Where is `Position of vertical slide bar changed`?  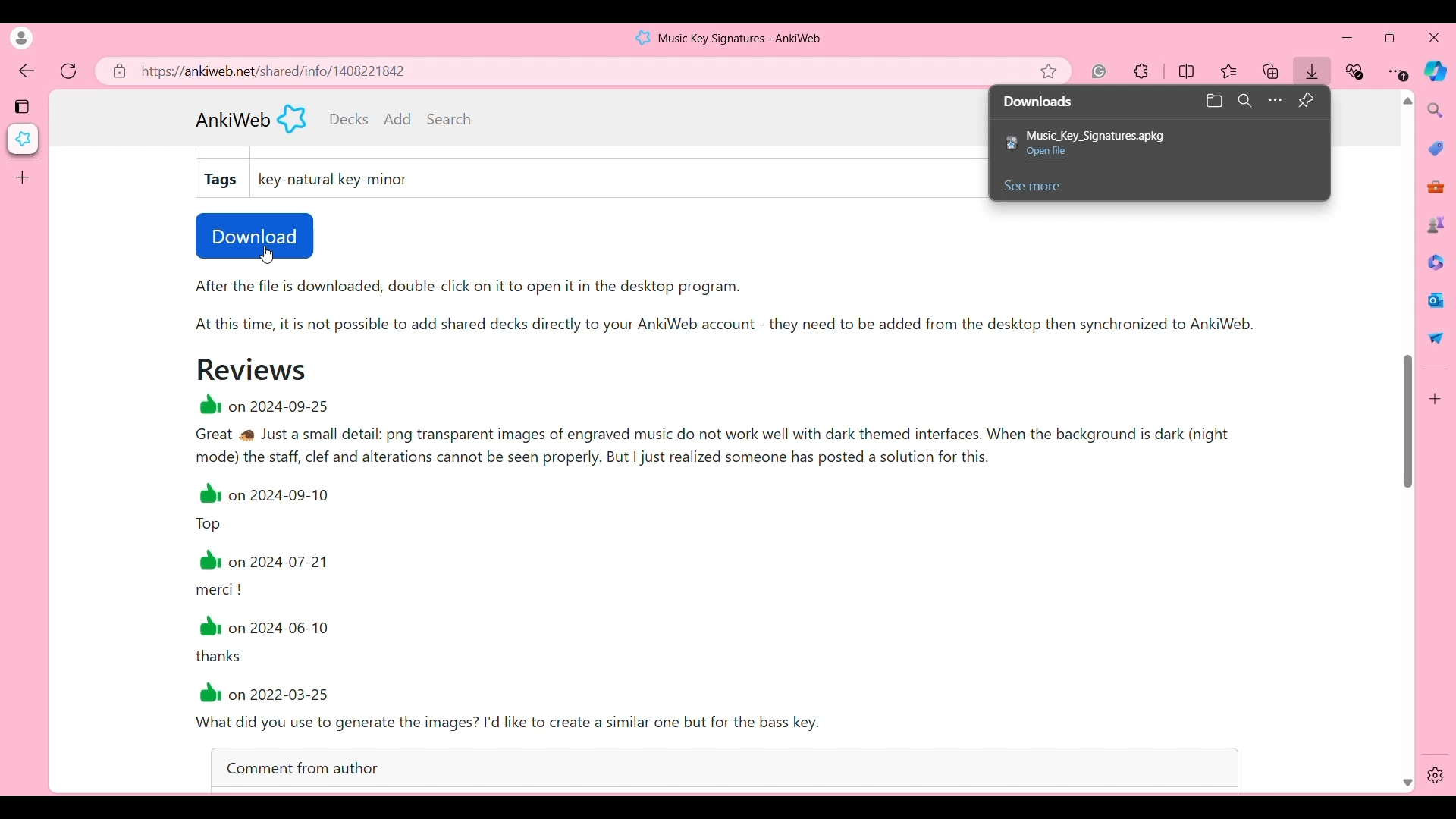 Position of vertical slide bar changed is located at coordinates (1408, 421).